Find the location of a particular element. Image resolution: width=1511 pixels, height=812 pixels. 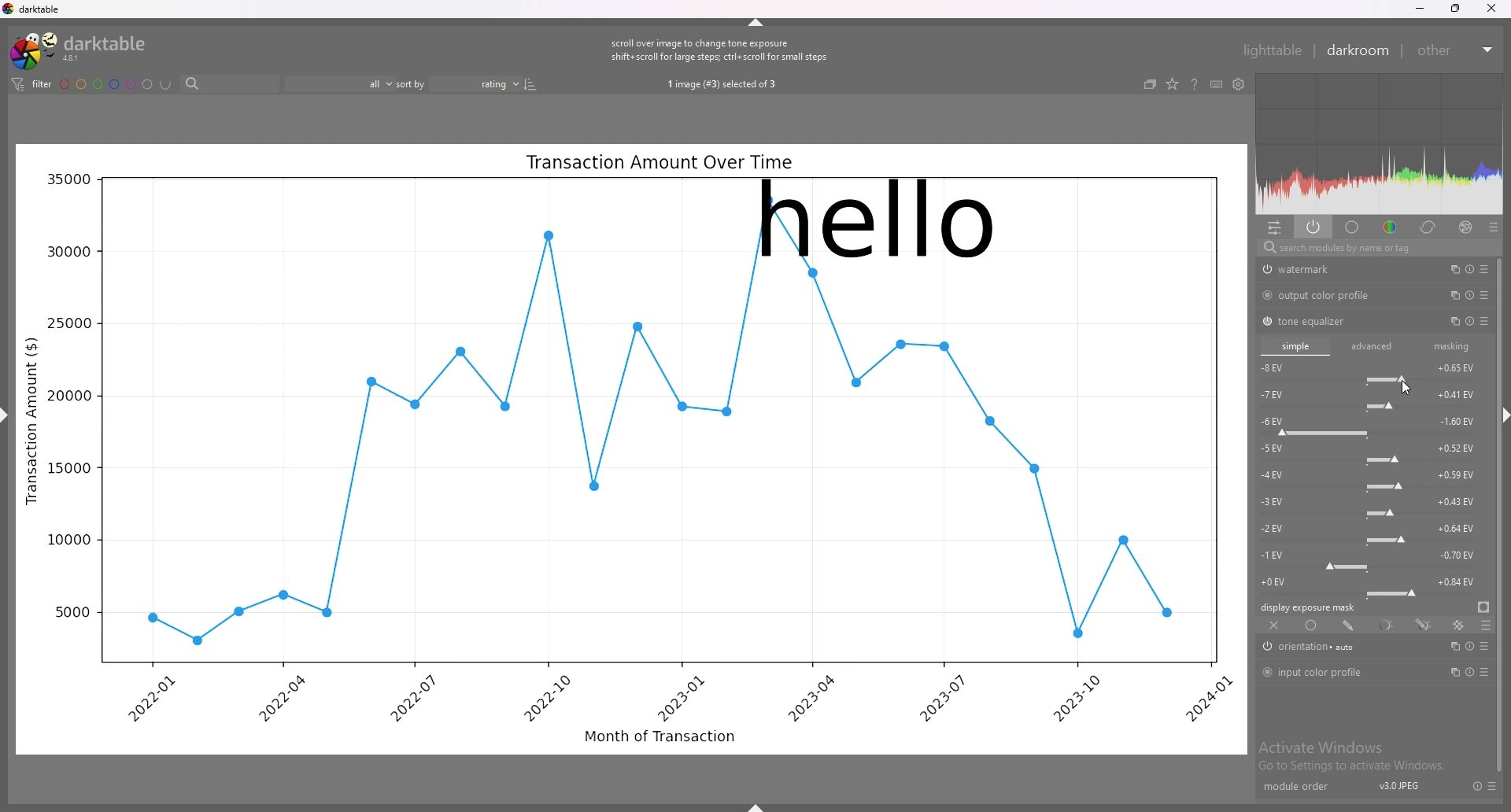

Transaction Amount ($) is located at coordinates (32, 419).